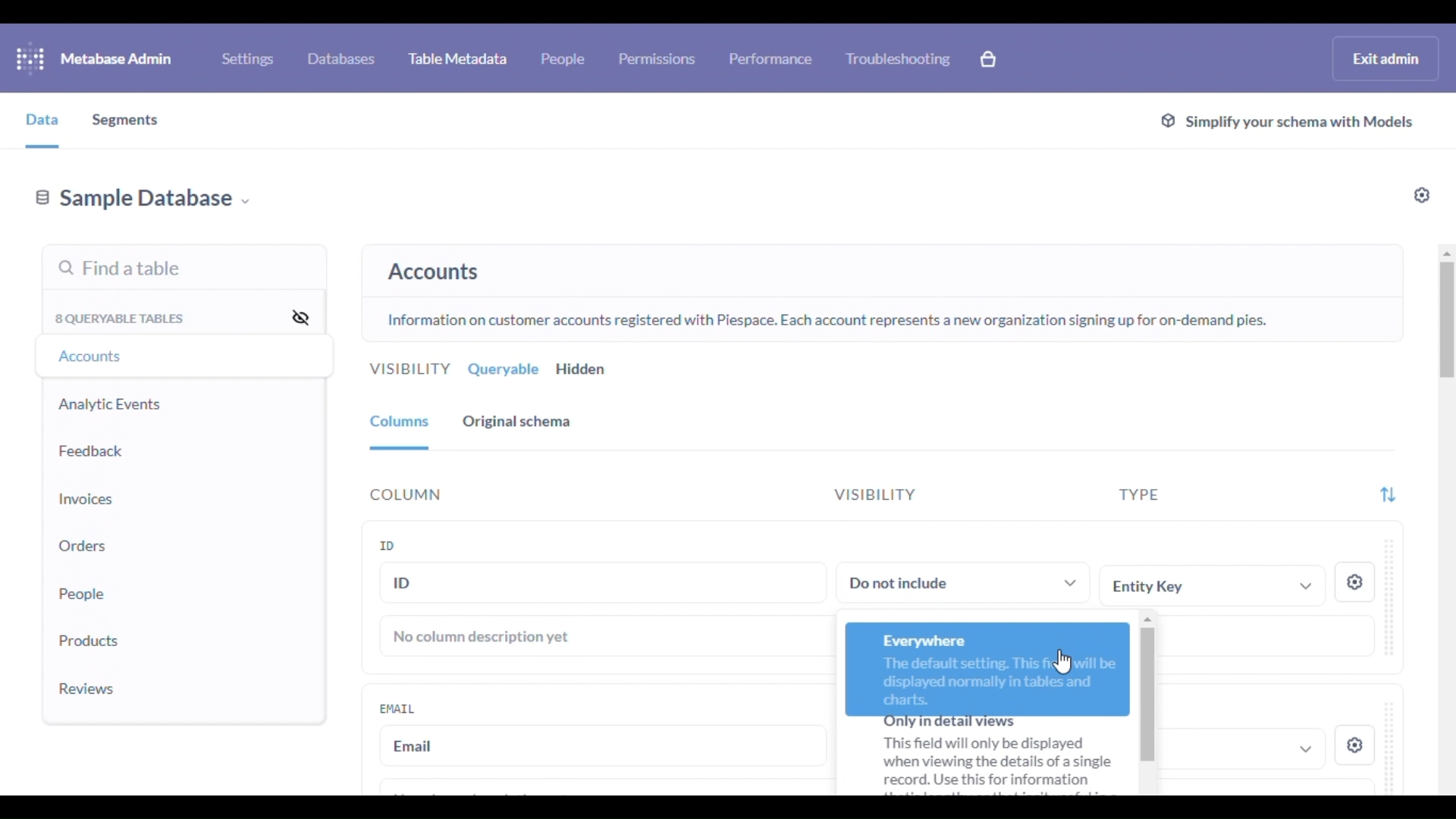  What do you see at coordinates (406, 495) in the screenshot?
I see `column` at bounding box center [406, 495].